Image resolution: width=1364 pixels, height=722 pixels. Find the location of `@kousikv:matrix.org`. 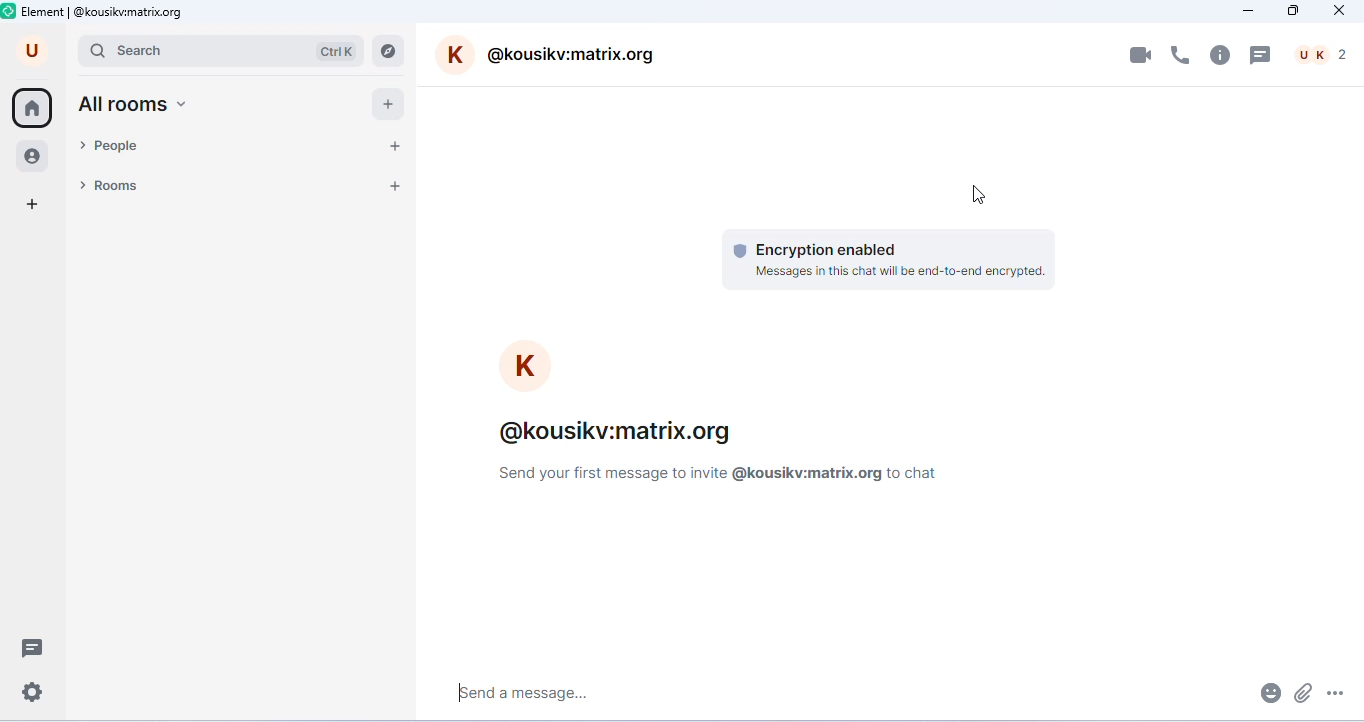

@kousikv:matrix.org is located at coordinates (131, 12).